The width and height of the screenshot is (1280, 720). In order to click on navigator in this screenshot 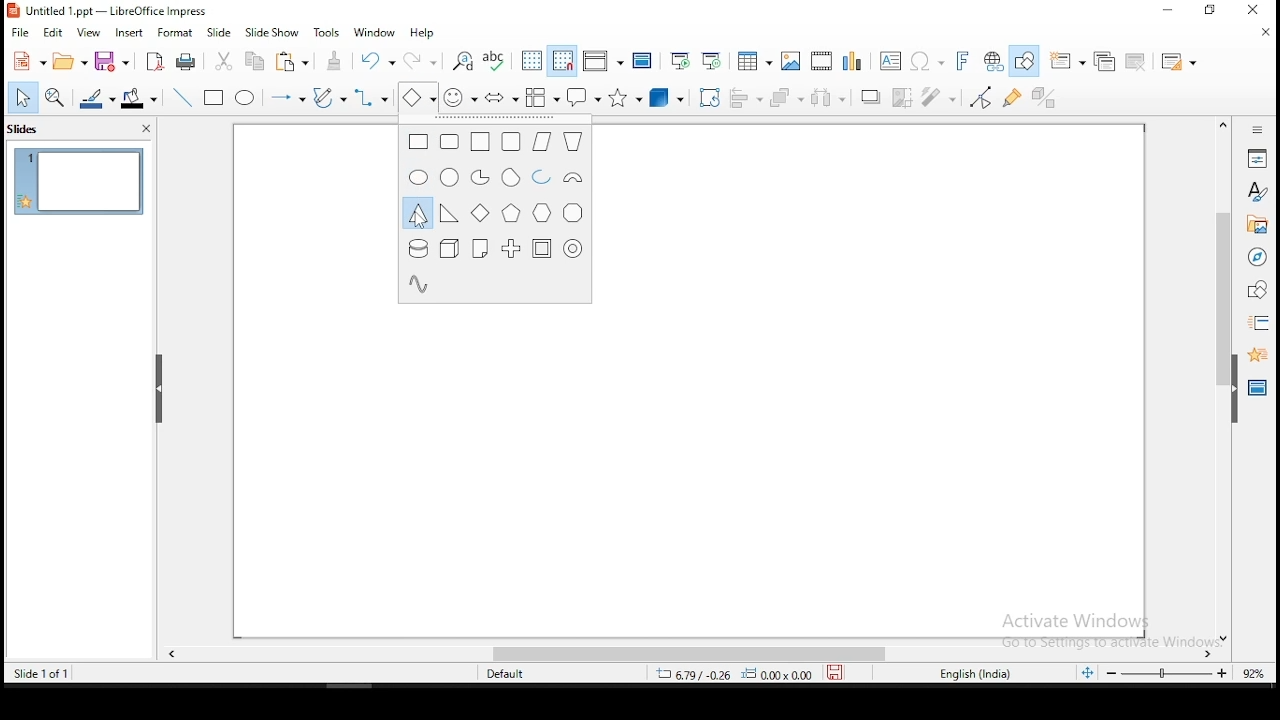, I will do `click(1259, 260)`.